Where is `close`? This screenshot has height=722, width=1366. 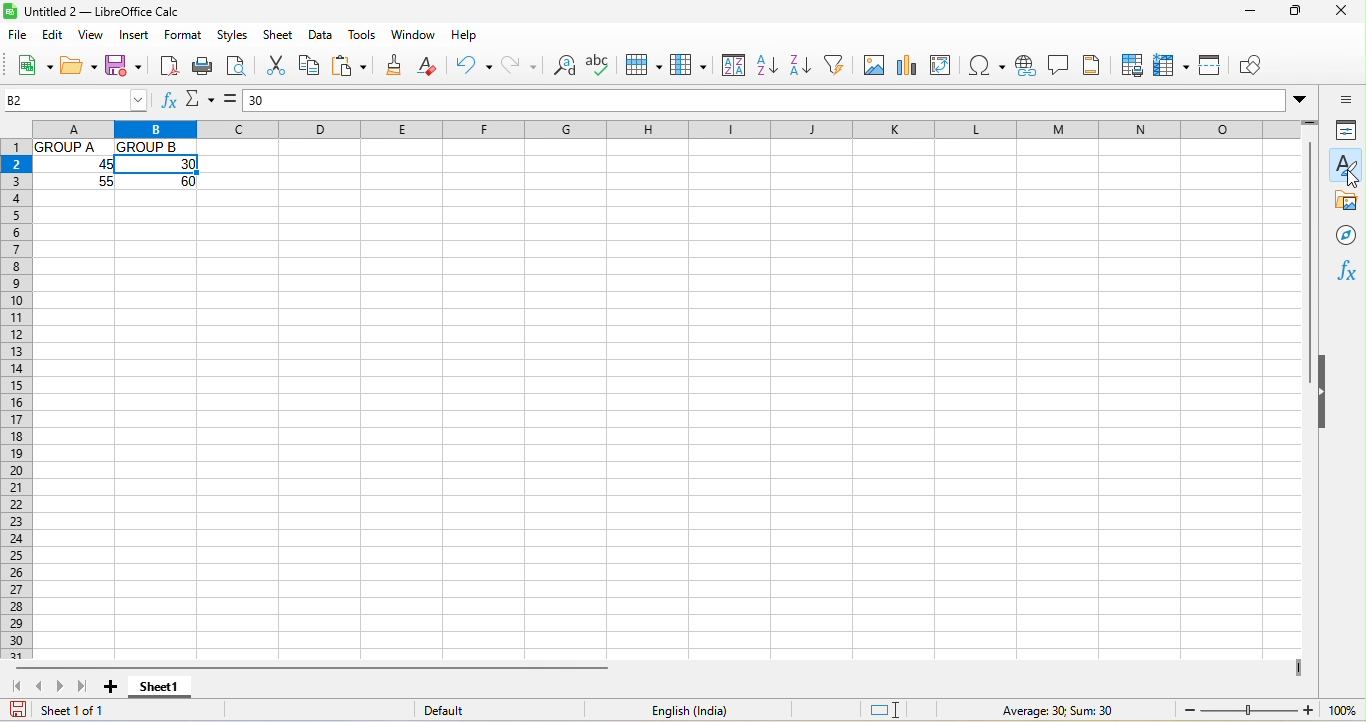 close is located at coordinates (1346, 12).